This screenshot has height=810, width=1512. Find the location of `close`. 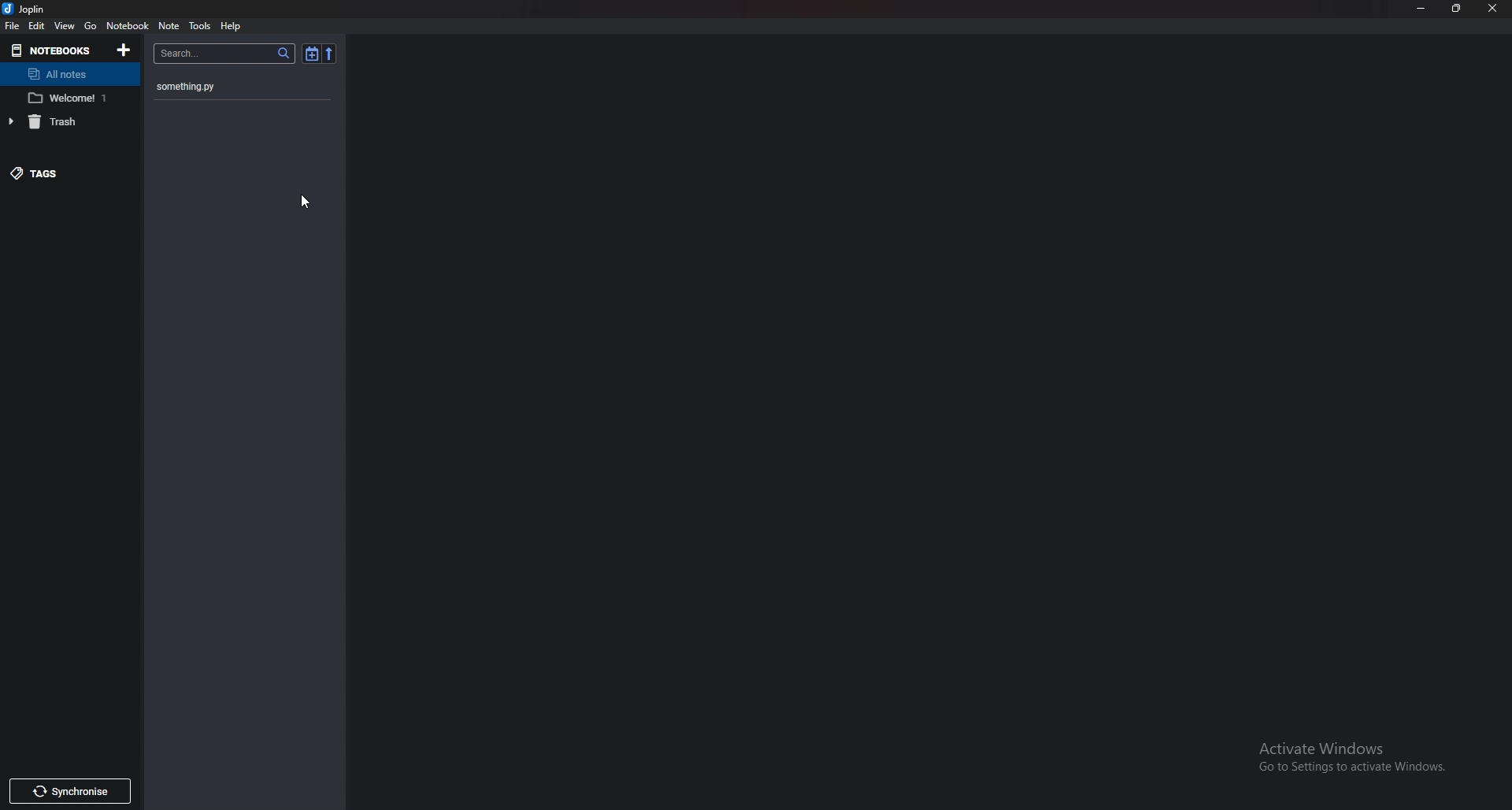

close is located at coordinates (1493, 9).